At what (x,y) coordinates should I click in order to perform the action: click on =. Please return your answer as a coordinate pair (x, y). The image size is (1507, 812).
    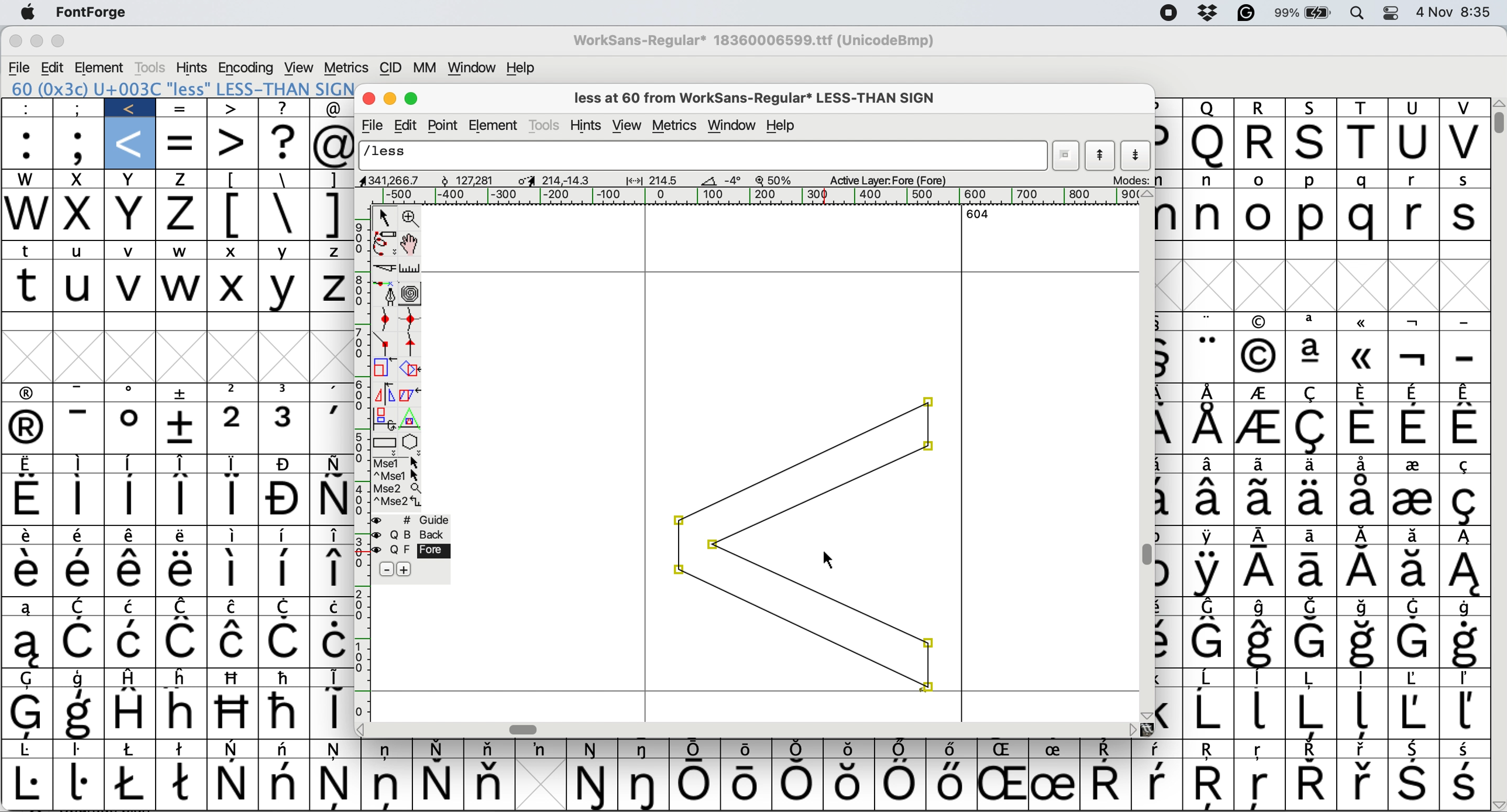
    Looking at the image, I should click on (183, 142).